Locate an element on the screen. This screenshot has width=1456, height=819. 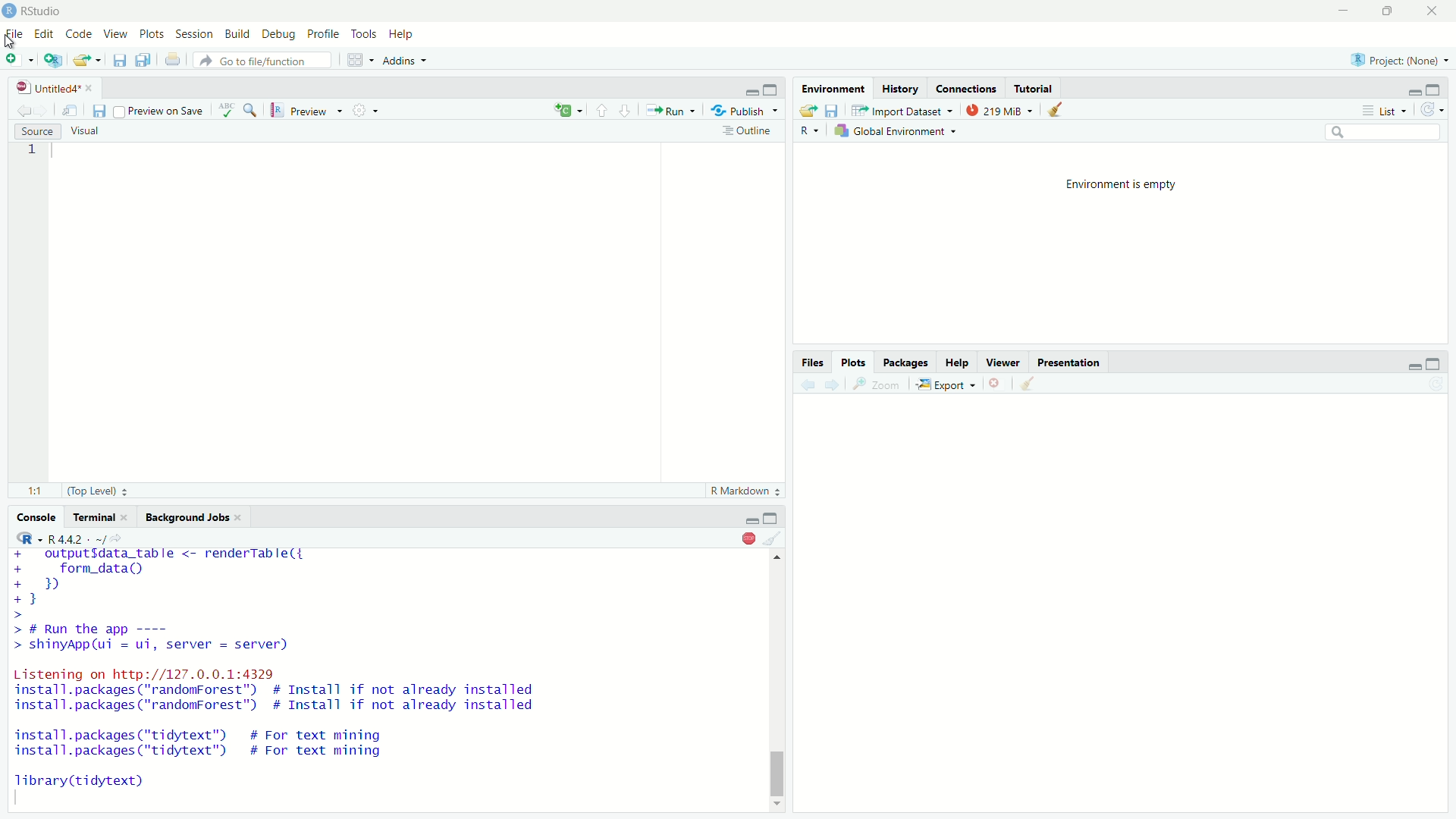
save all open documents is located at coordinates (144, 60).